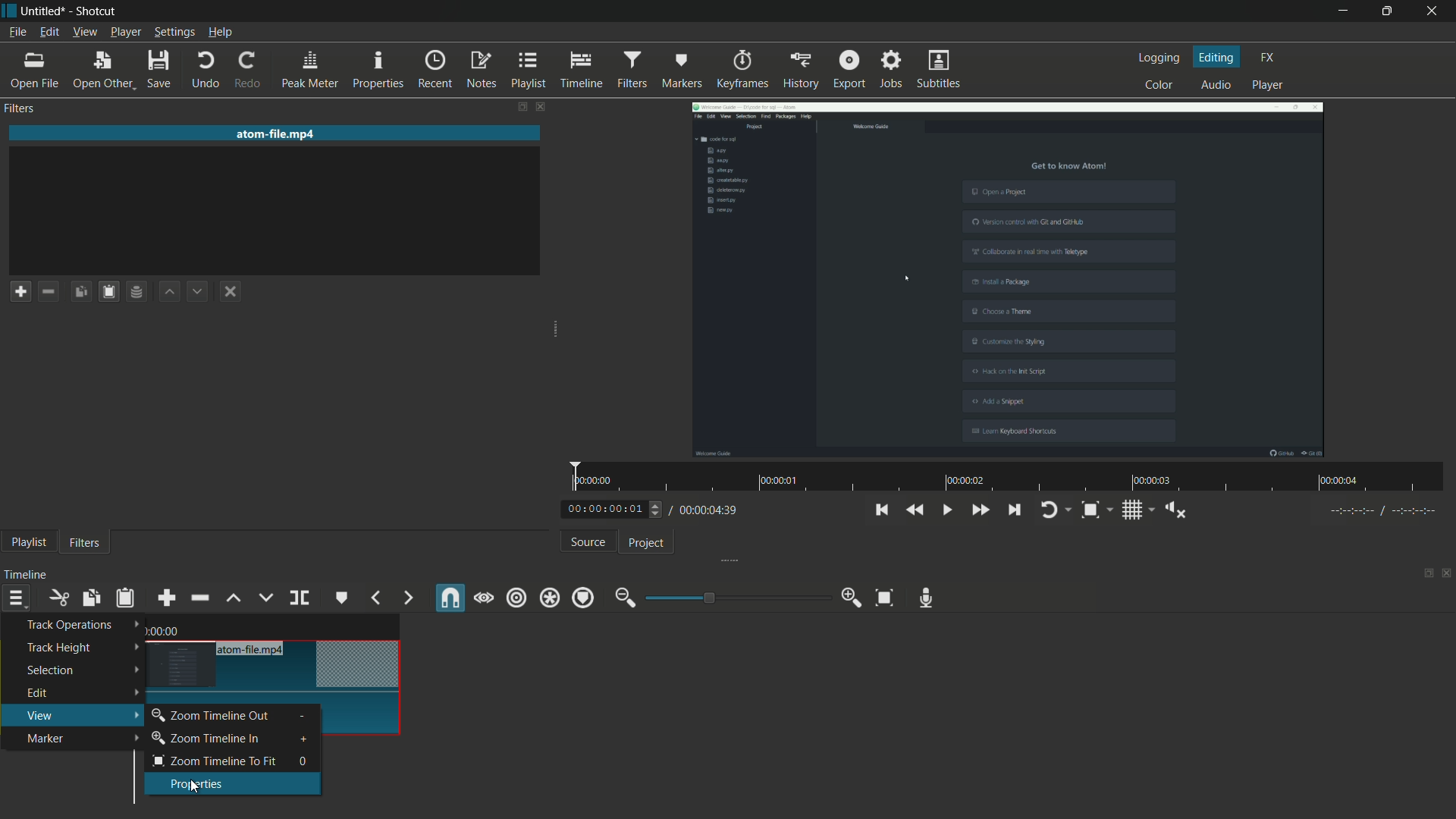  I want to click on time, so click(1013, 477).